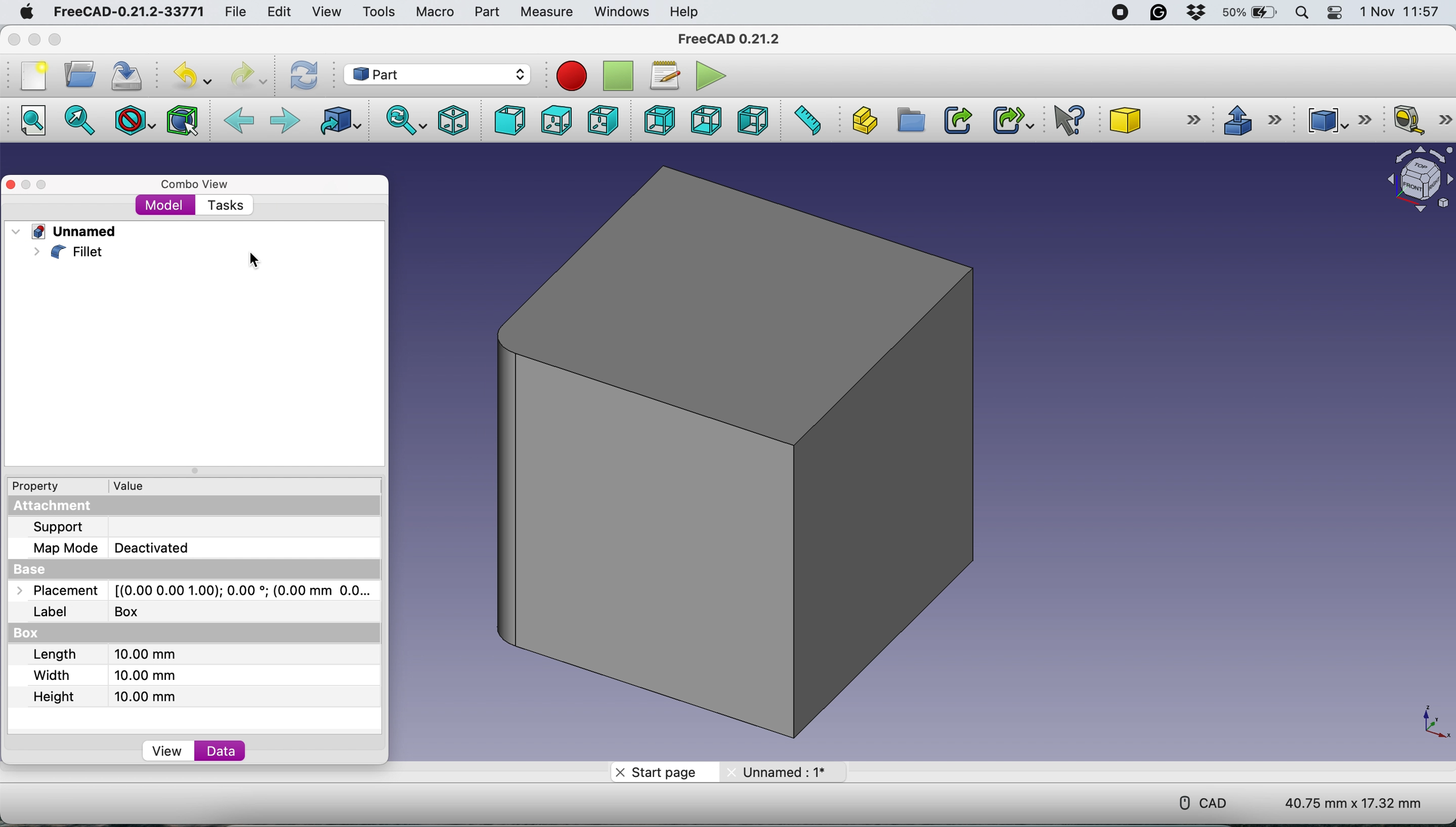  What do you see at coordinates (223, 752) in the screenshot?
I see `data` at bounding box center [223, 752].